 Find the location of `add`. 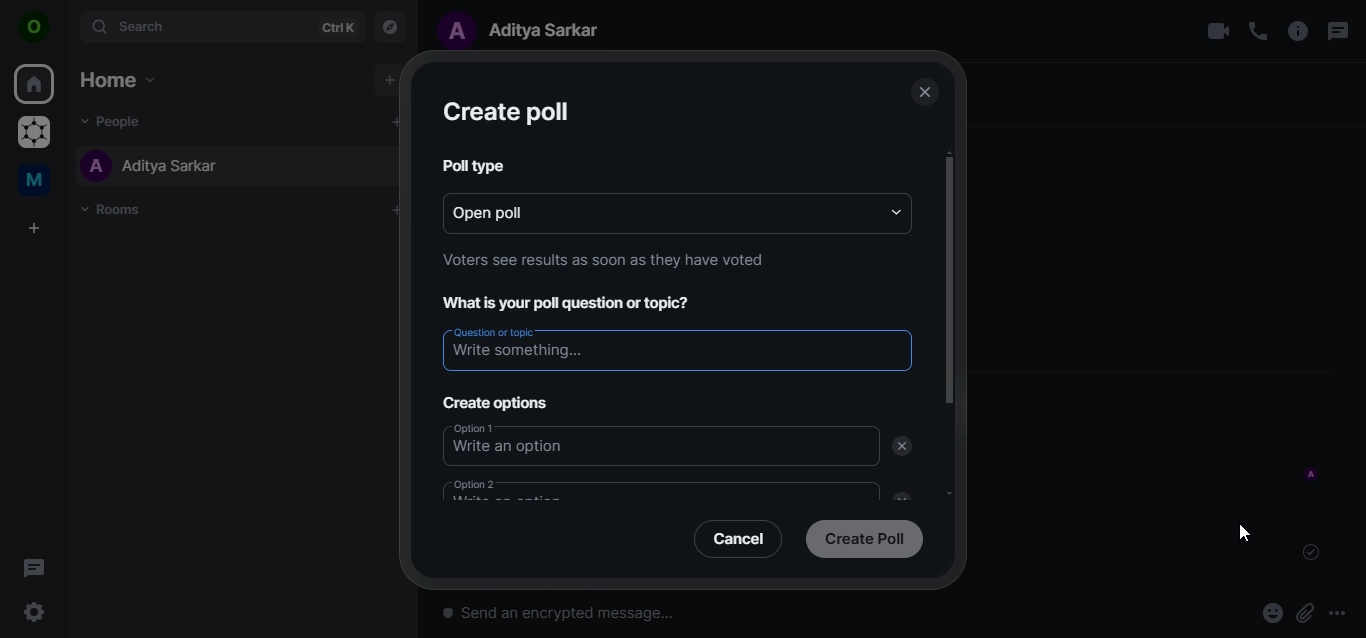

add is located at coordinates (388, 80).